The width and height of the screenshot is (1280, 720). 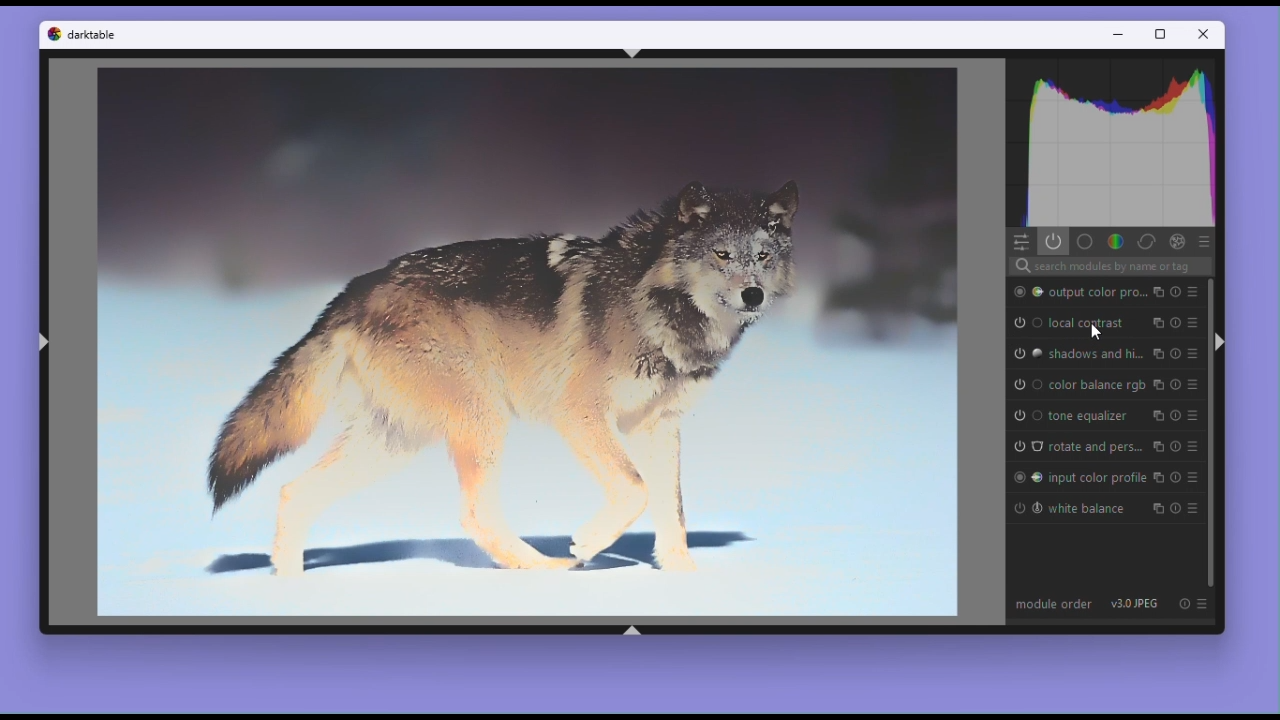 I want to click on Color, so click(x=1114, y=242).